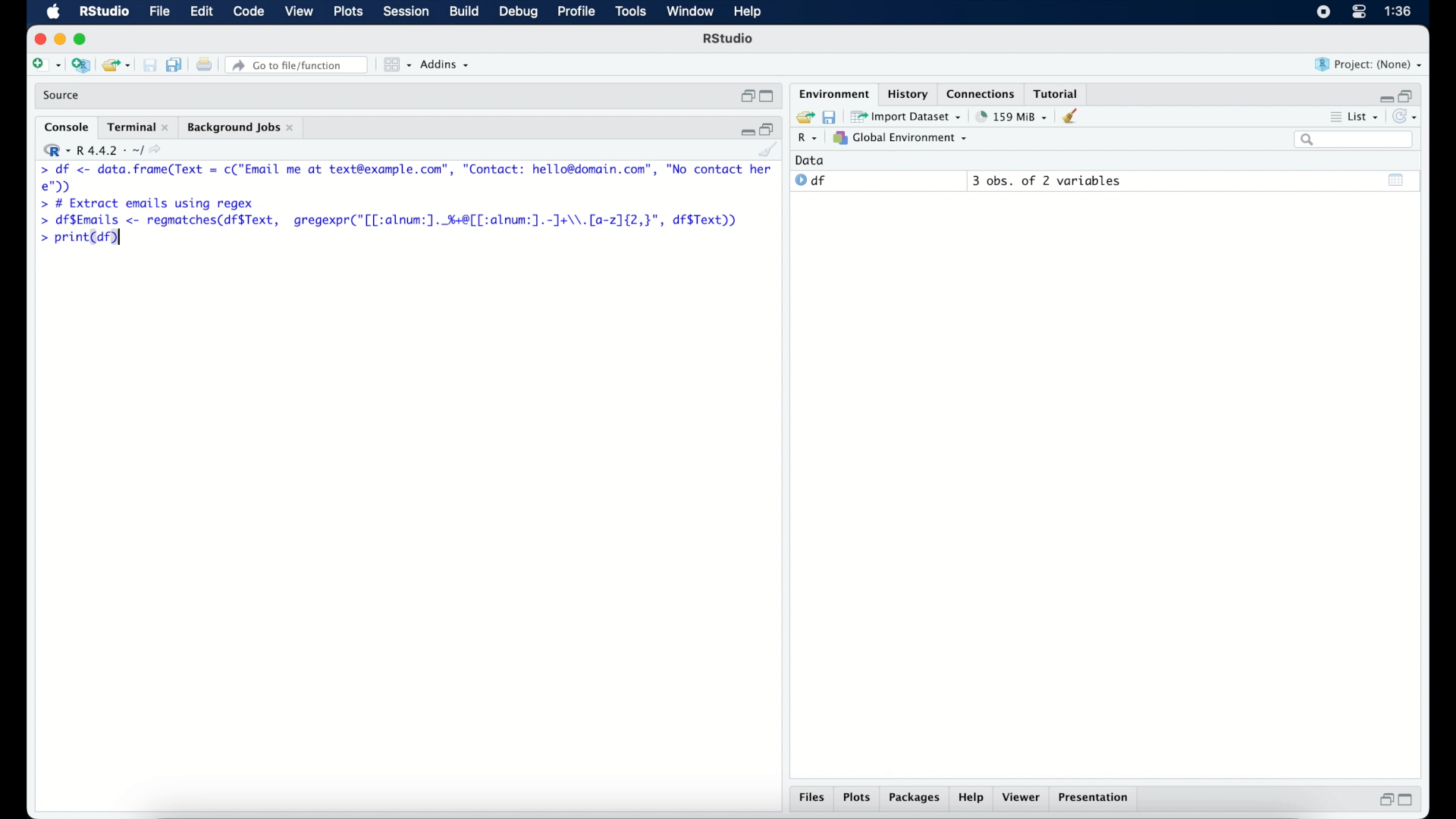 This screenshot has width=1456, height=819. What do you see at coordinates (833, 117) in the screenshot?
I see `save` at bounding box center [833, 117].